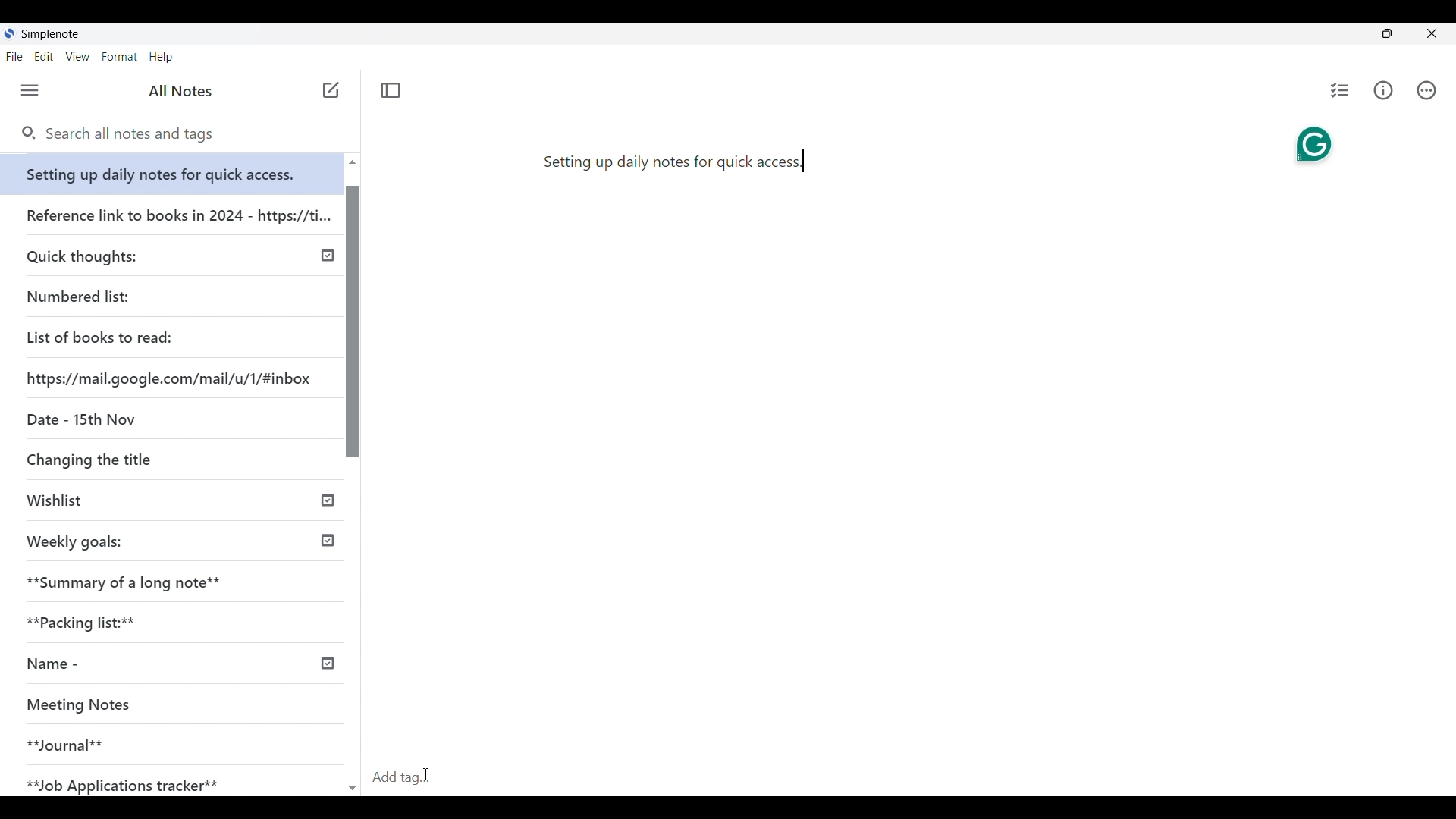 This screenshot has height=819, width=1456. Describe the element at coordinates (171, 377) in the screenshot. I see `Website` at that location.